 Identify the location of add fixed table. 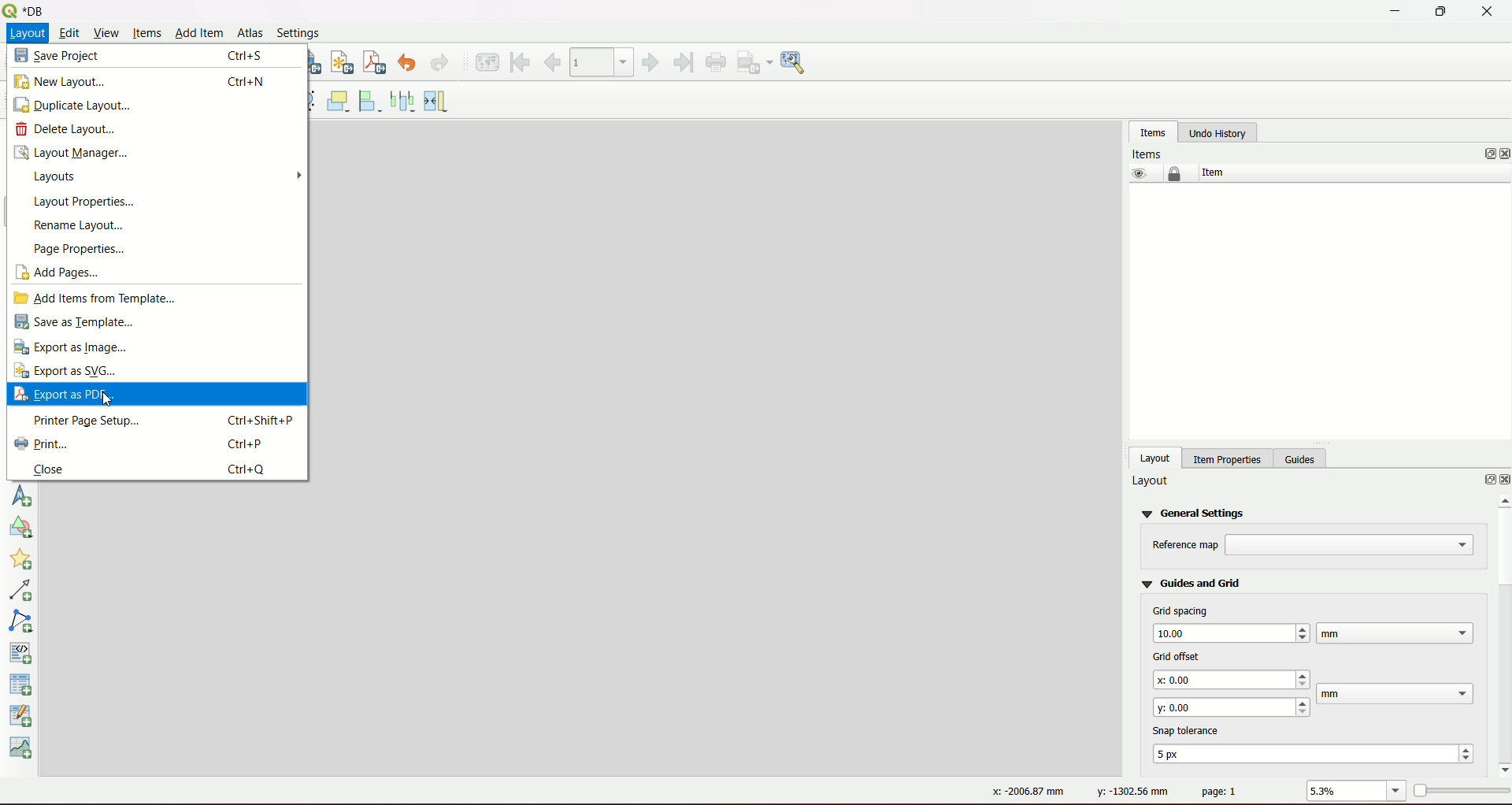
(23, 684).